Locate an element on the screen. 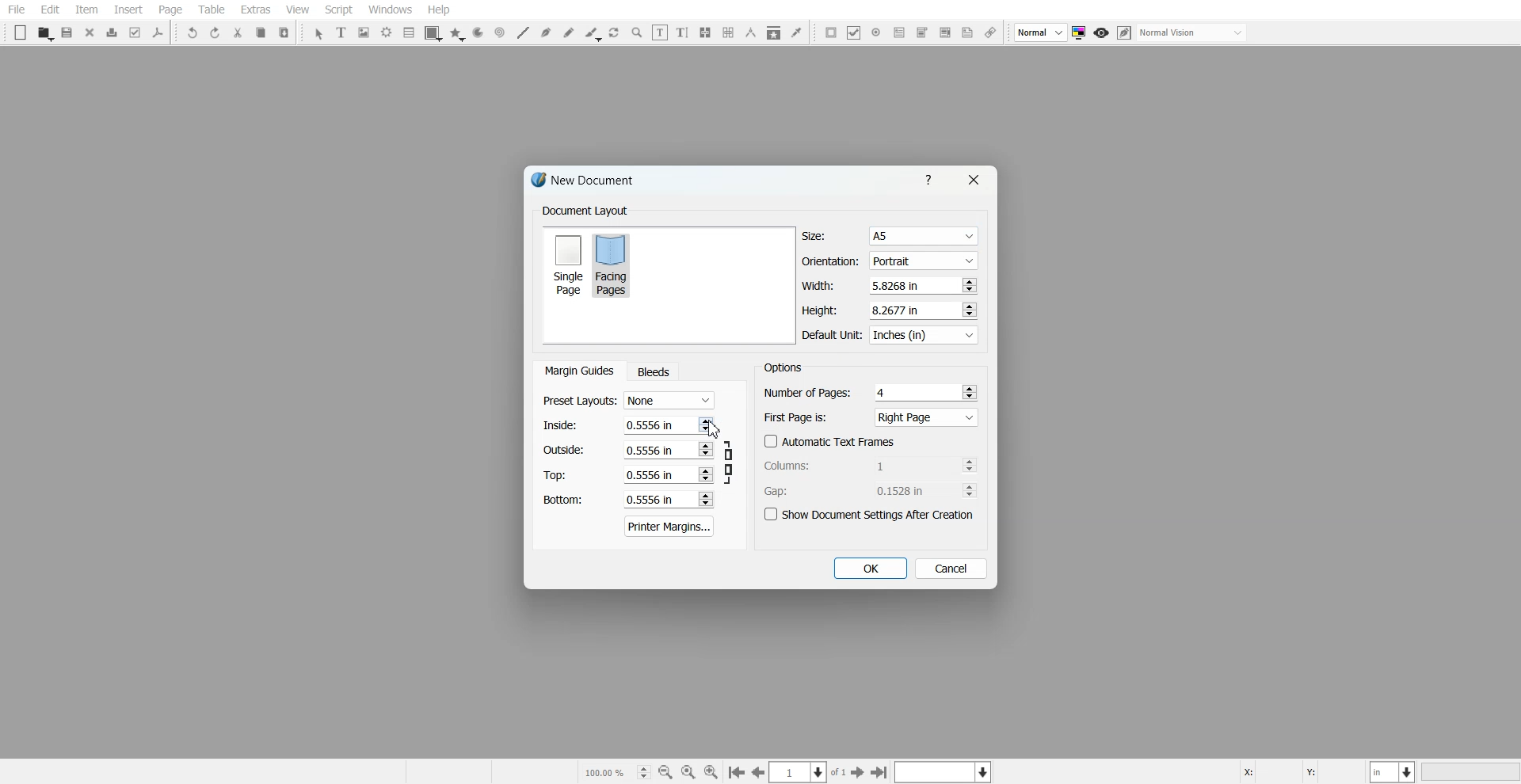 The image size is (1521, 784). Render Frame is located at coordinates (387, 32).